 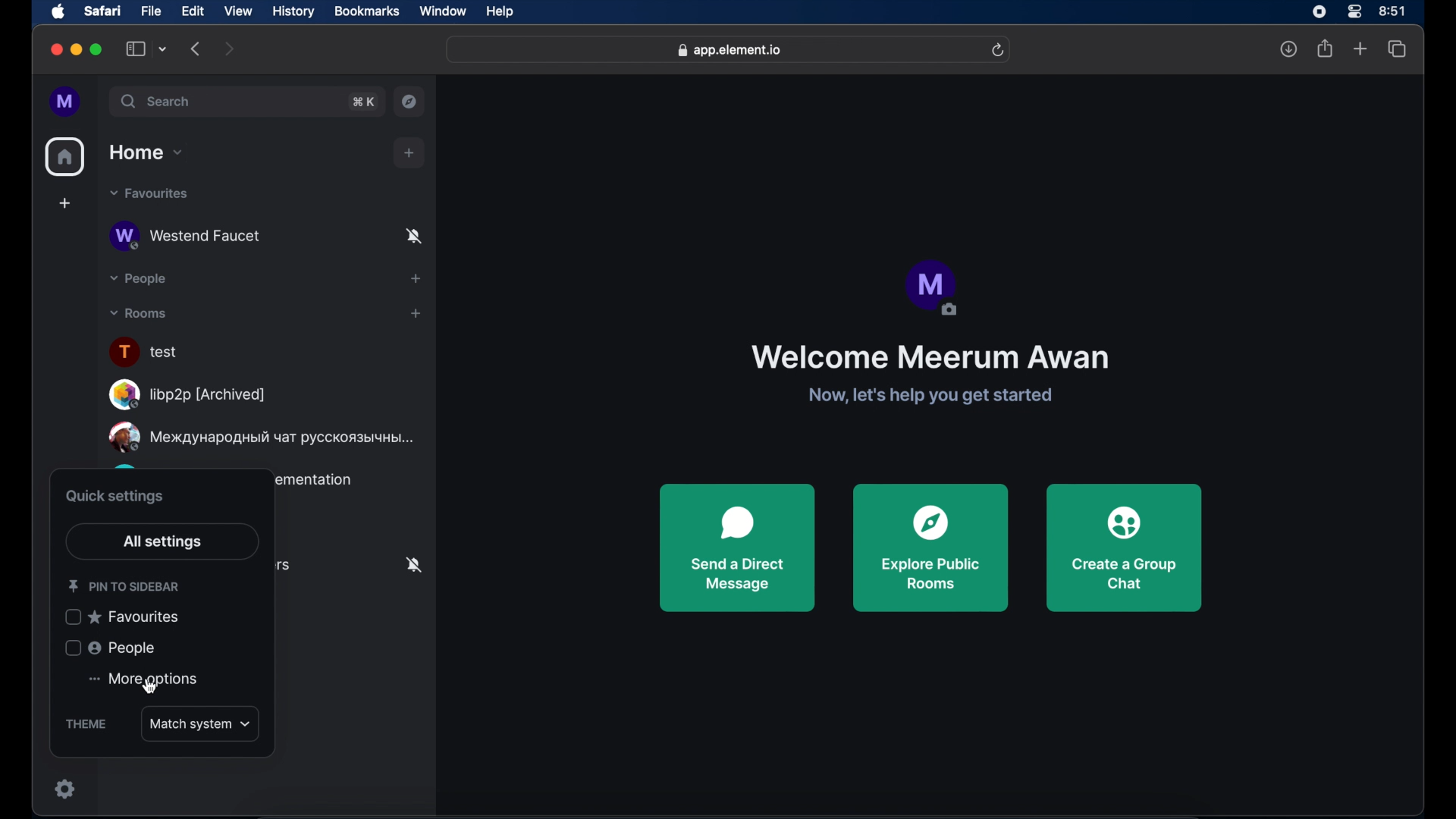 What do you see at coordinates (136, 279) in the screenshot?
I see `people dropdown` at bounding box center [136, 279].